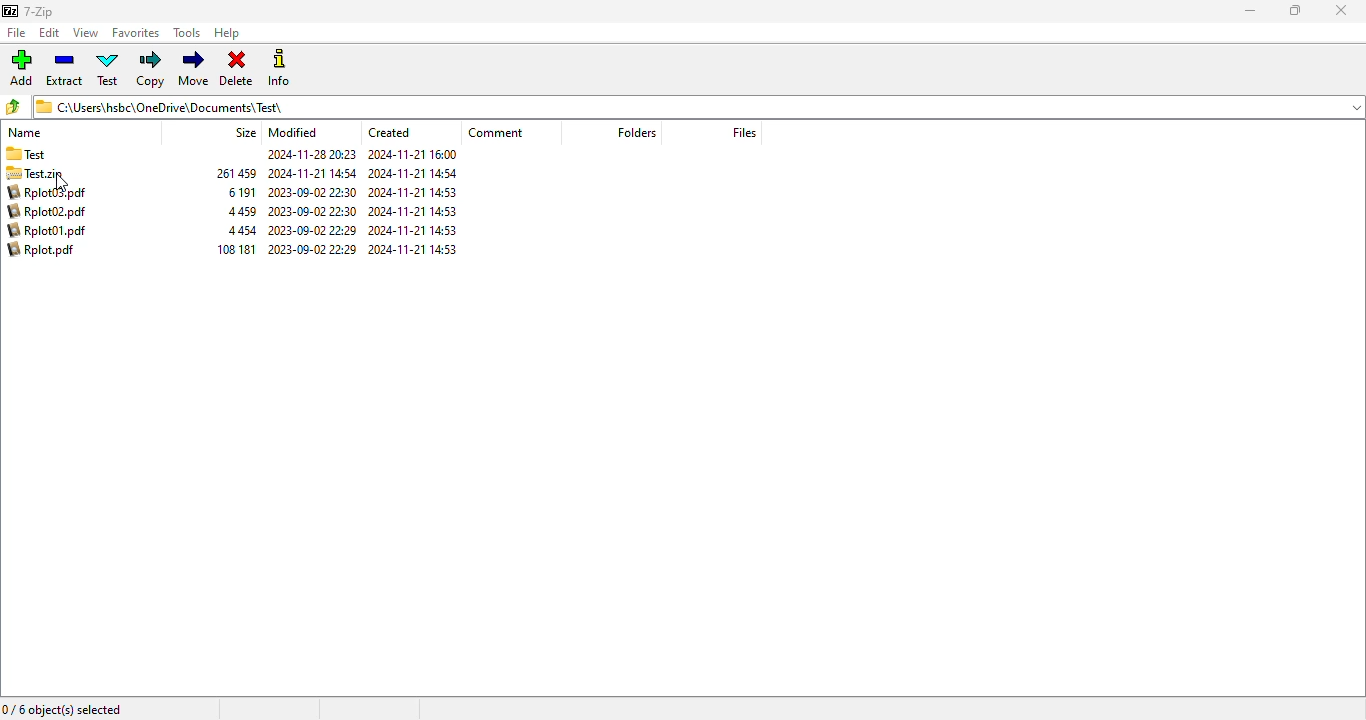 This screenshot has width=1366, height=720. I want to click on copy, so click(150, 69).